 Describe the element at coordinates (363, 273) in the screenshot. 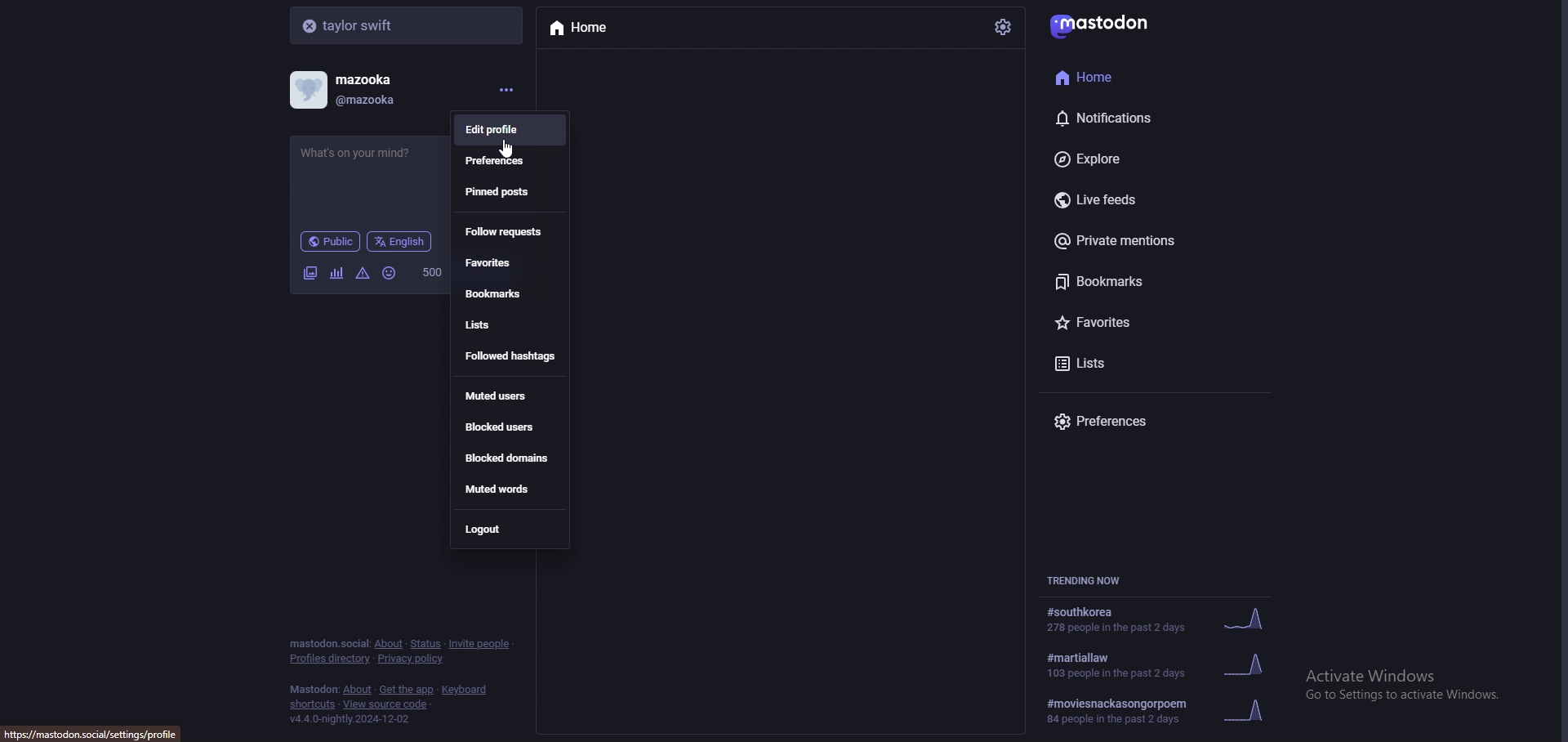

I see `warning` at that location.